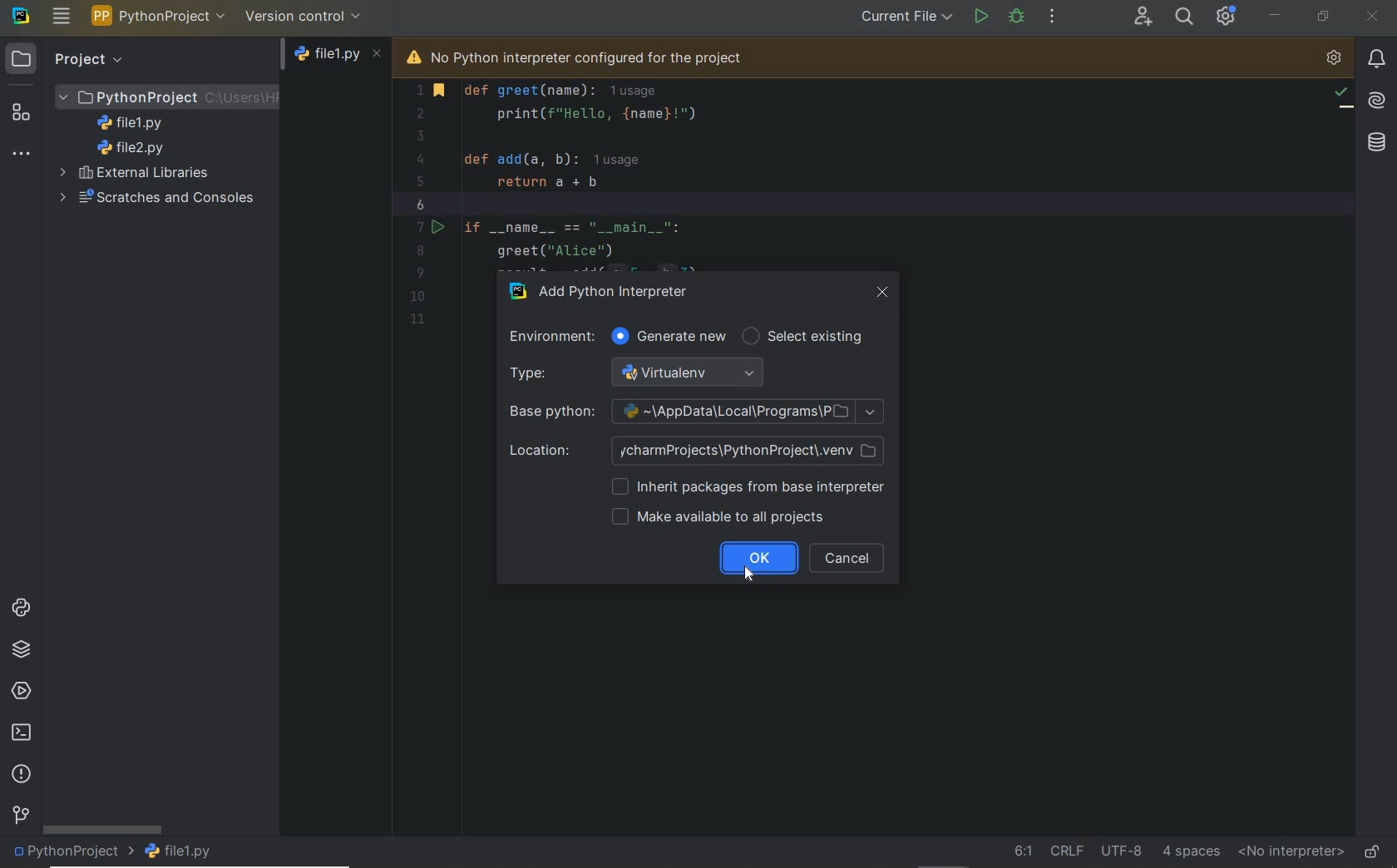 This screenshot has width=1397, height=868. Describe the element at coordinates (1066, 850) in the screenshot. I see `line separator` at that location.